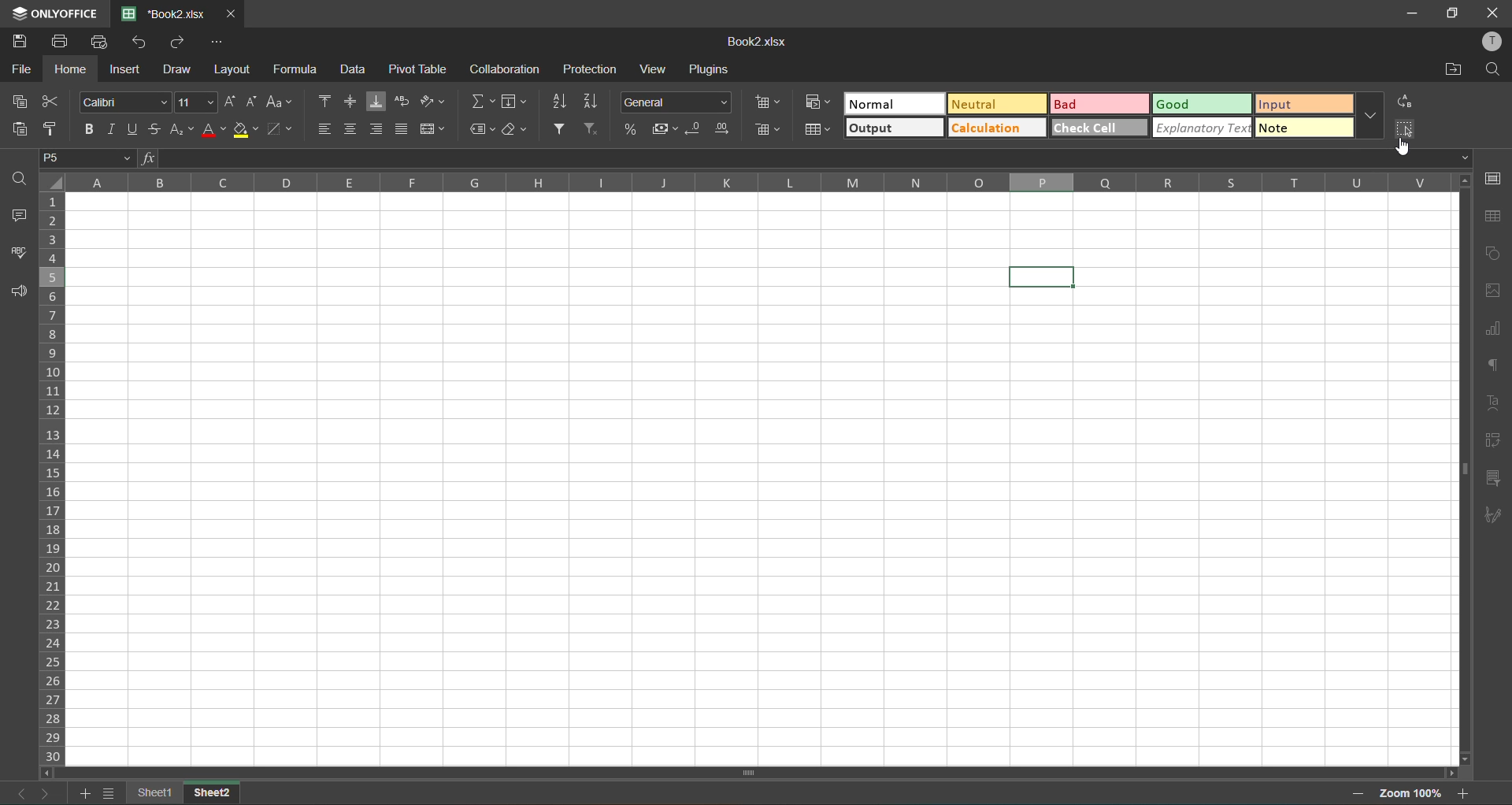  Describe the element at coordinates (1494, 366) in the screenshot. I see `paragraph` at that location.